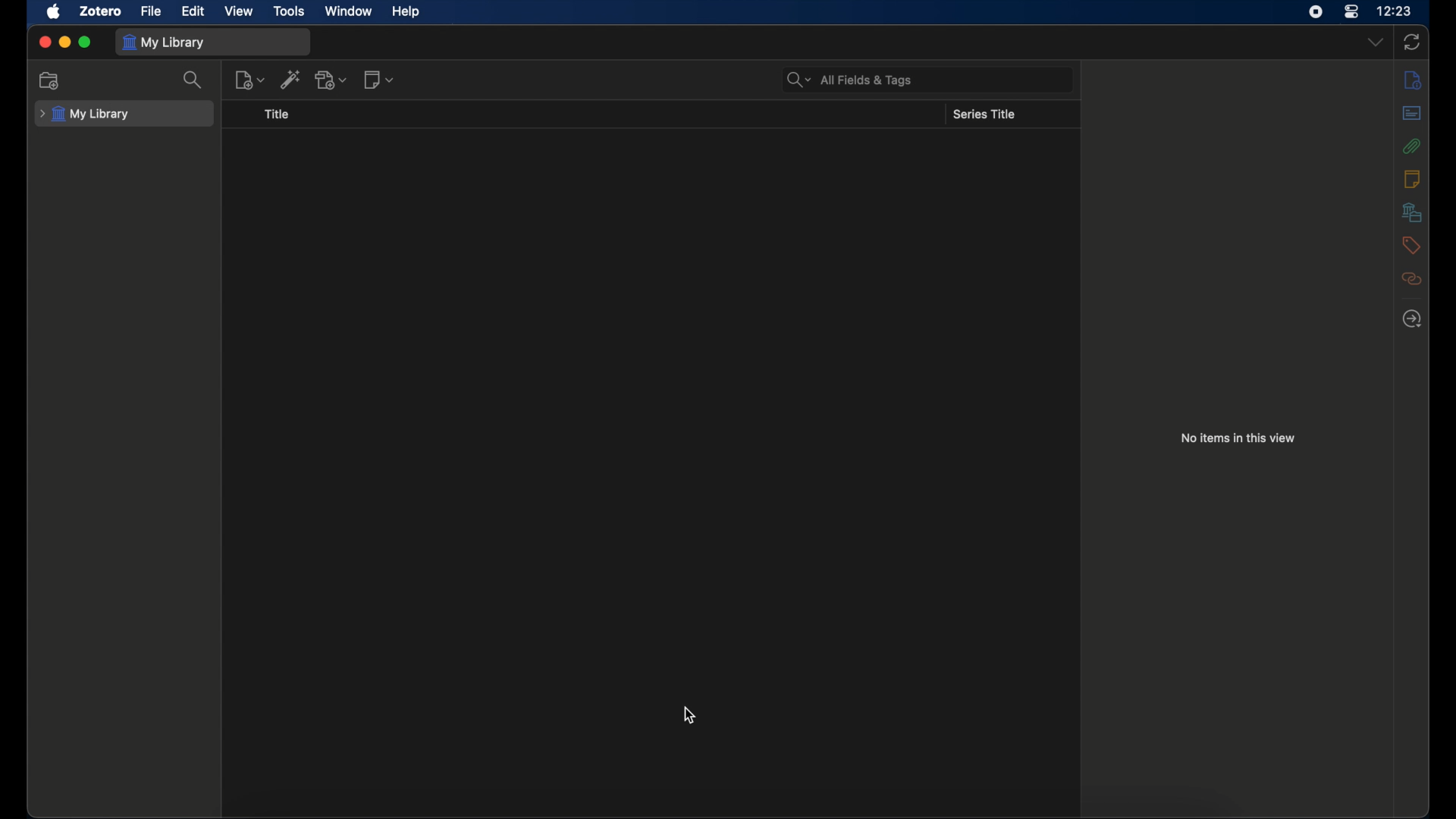 The width and height of the screenshot is (1456, 819). Describe the element at coordinates (1351, 12) in the screenshot. I see `control center` at that location.